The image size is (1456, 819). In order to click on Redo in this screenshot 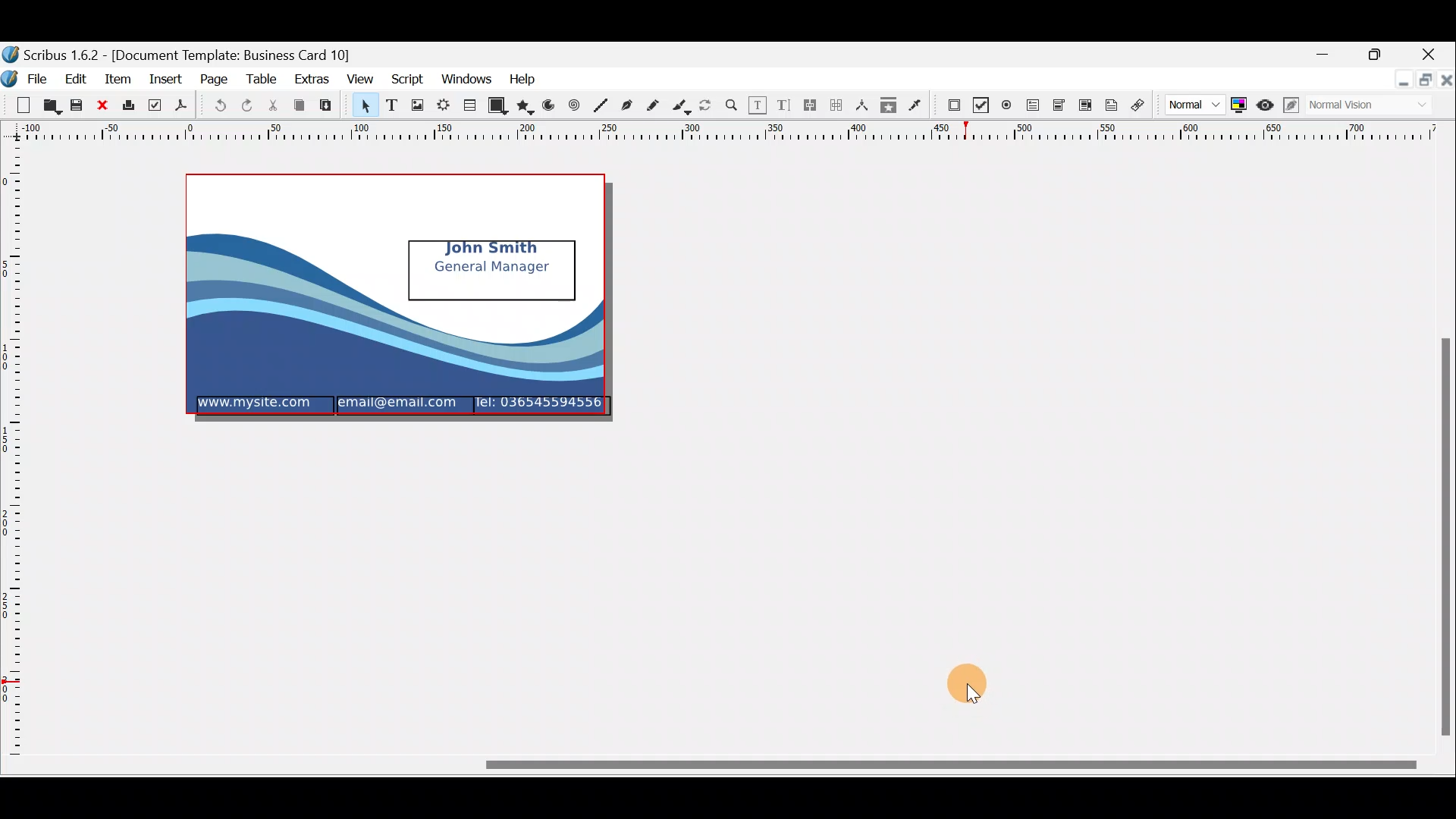, I will do `click(243, 107)`.